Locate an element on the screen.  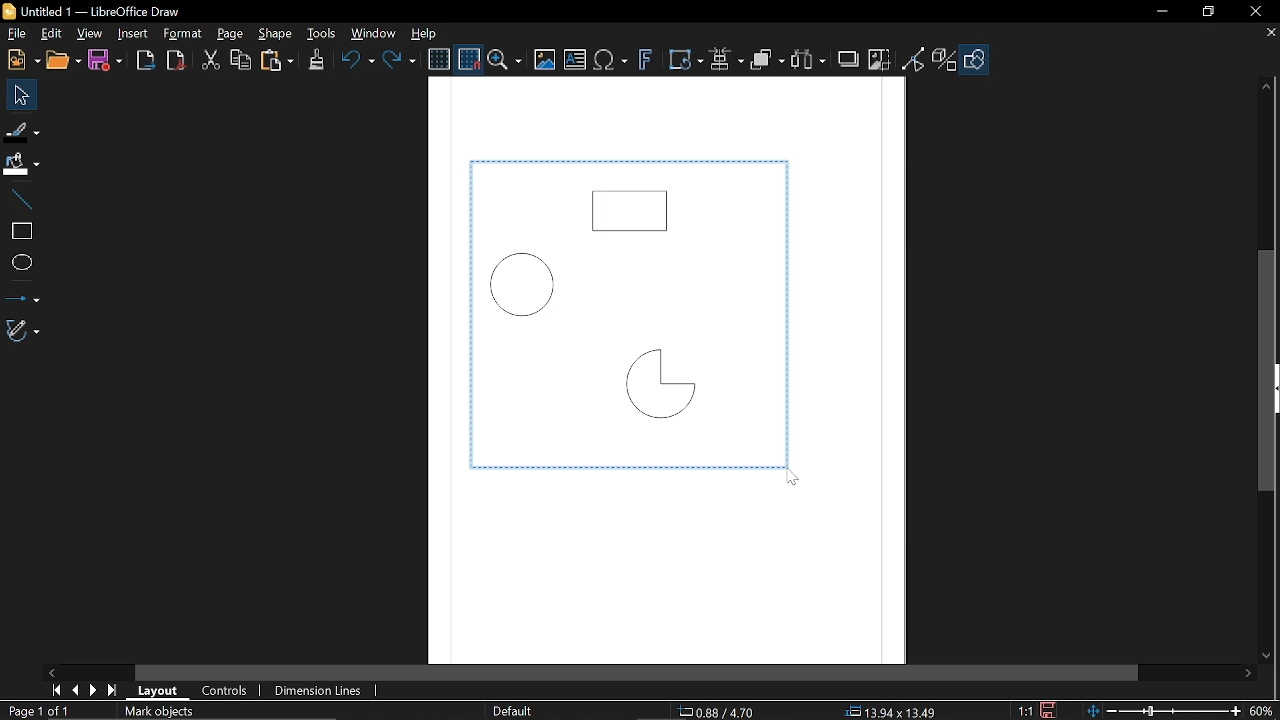
Vertical line around objects is located at coordinates (793, 315).